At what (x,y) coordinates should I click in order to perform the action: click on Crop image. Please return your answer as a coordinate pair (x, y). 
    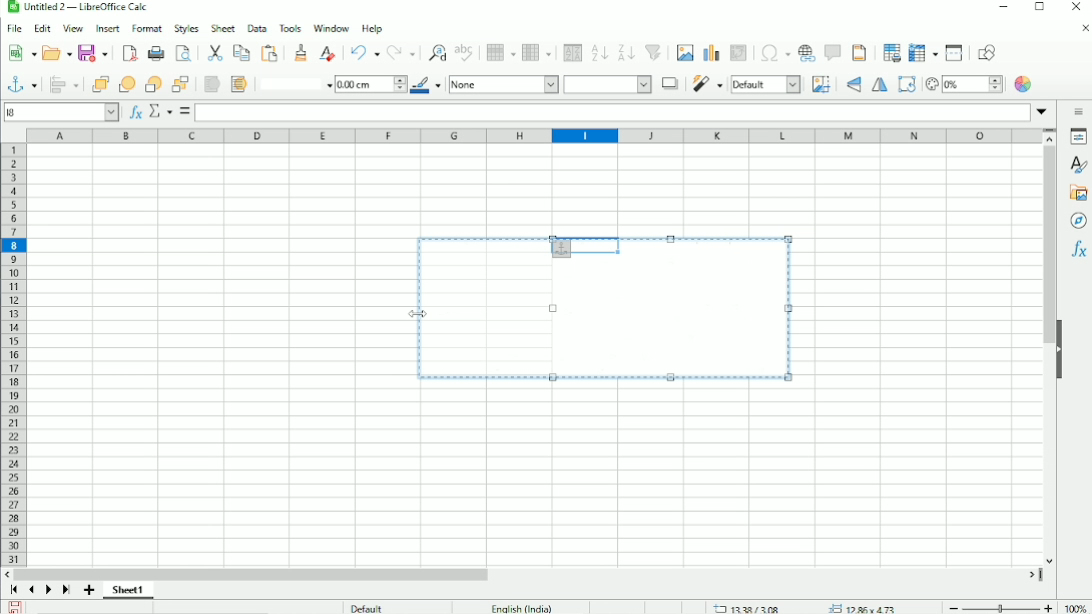
    Looking at the image, I should click on (821, 84).